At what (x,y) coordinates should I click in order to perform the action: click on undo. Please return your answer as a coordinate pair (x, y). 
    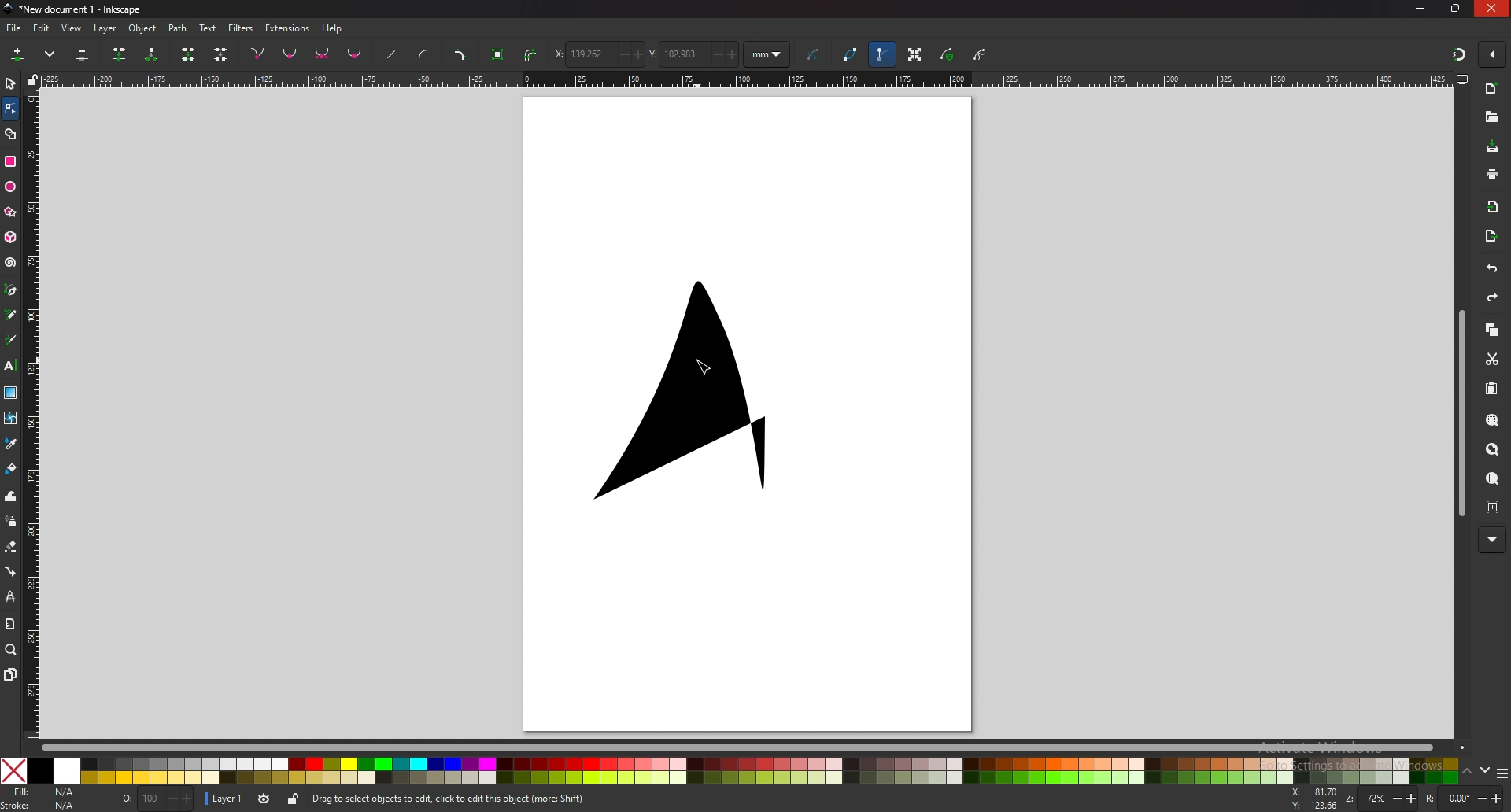
    Looking at the image, I should click on (1492, 269).